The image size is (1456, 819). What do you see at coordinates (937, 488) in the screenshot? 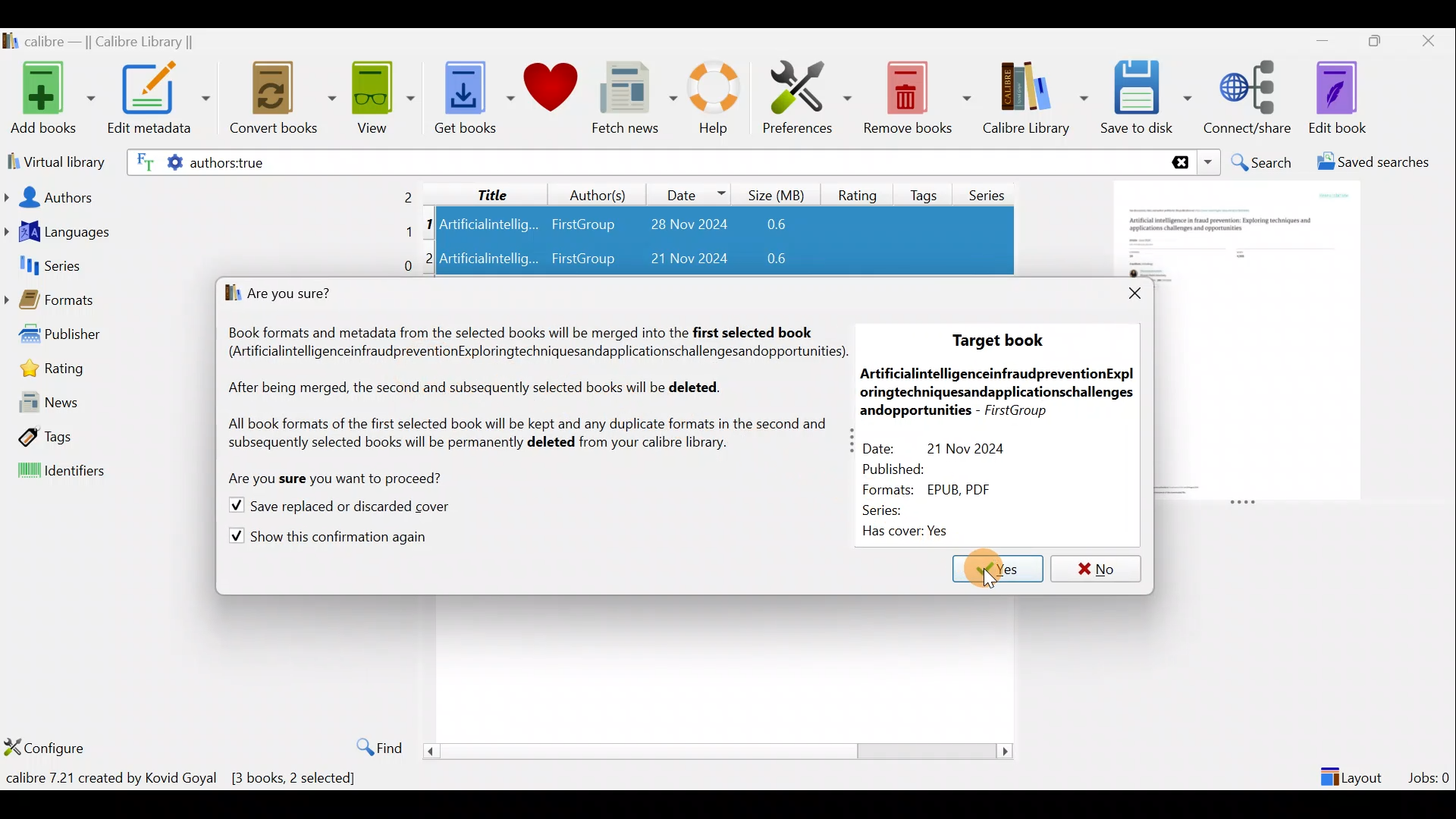
I see `Formats: EPUB, PDF` at bounding box center [937, 488].